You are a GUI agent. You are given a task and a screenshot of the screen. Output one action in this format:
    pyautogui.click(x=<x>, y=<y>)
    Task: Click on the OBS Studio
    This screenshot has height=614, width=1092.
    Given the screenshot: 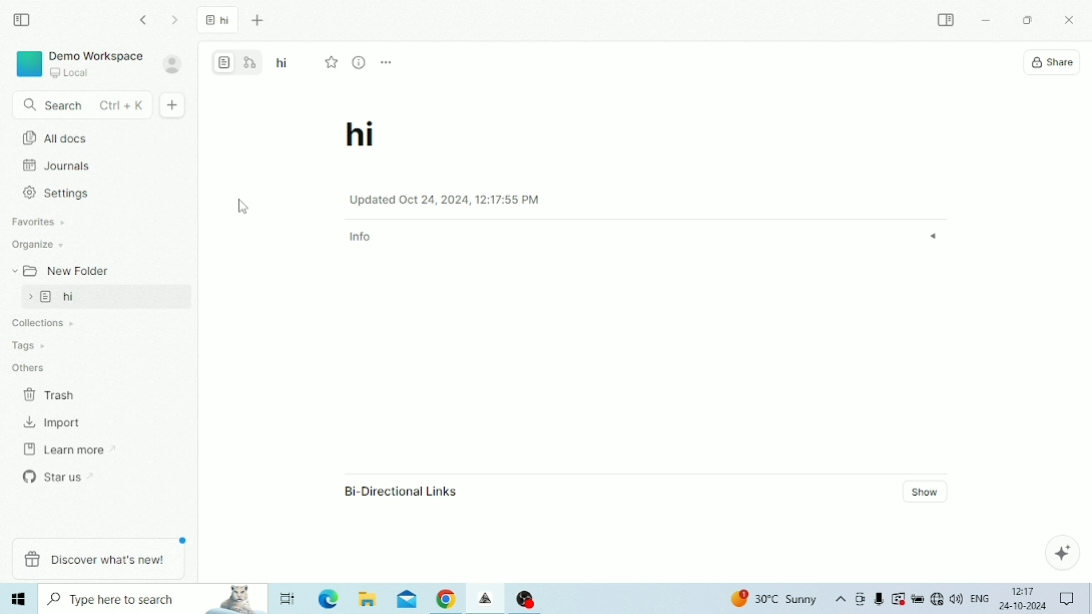 What is the action you would take?
    pyautogui.click(x=526, y=598)
    